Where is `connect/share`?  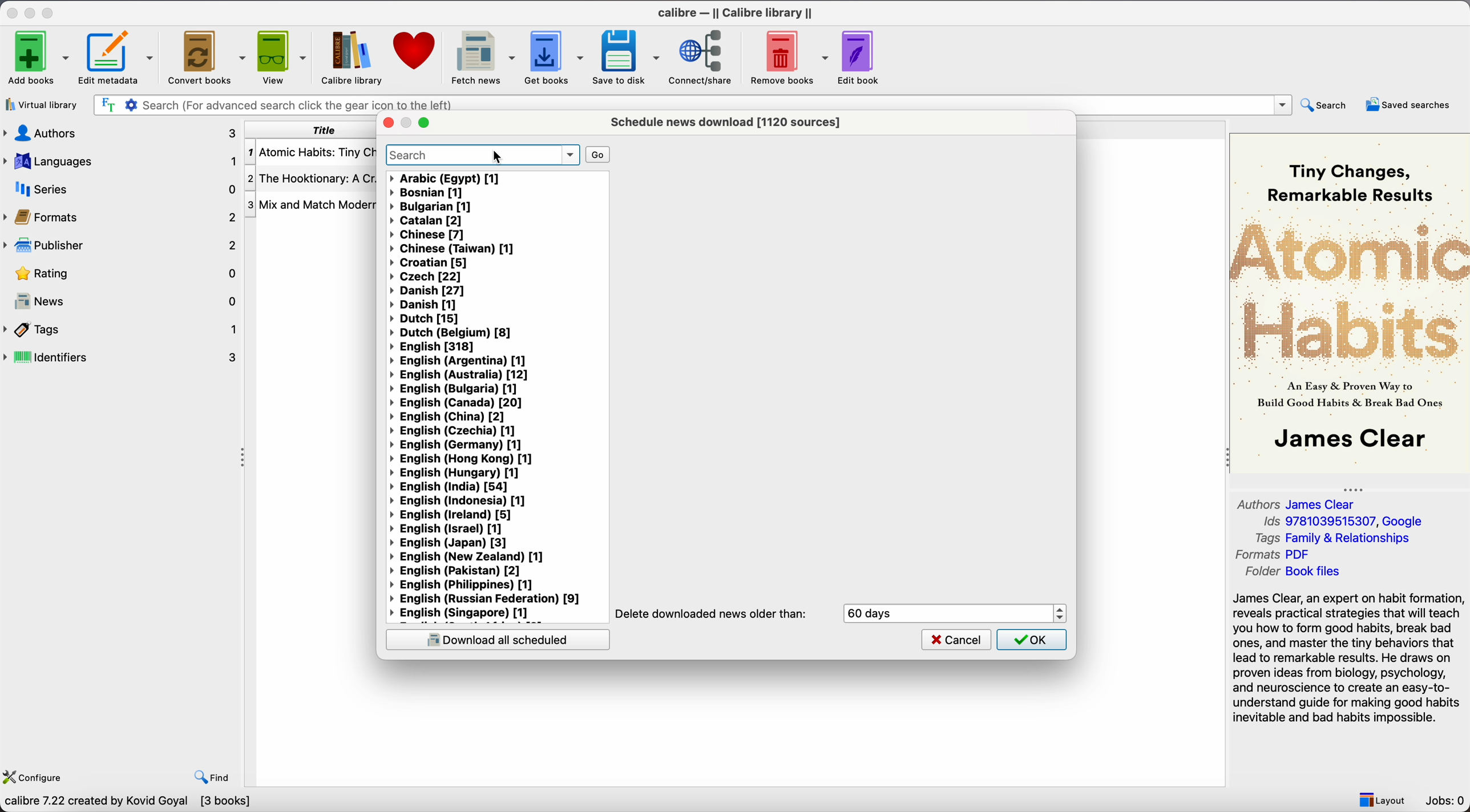
connect/share is located at coordinates (704, 56).